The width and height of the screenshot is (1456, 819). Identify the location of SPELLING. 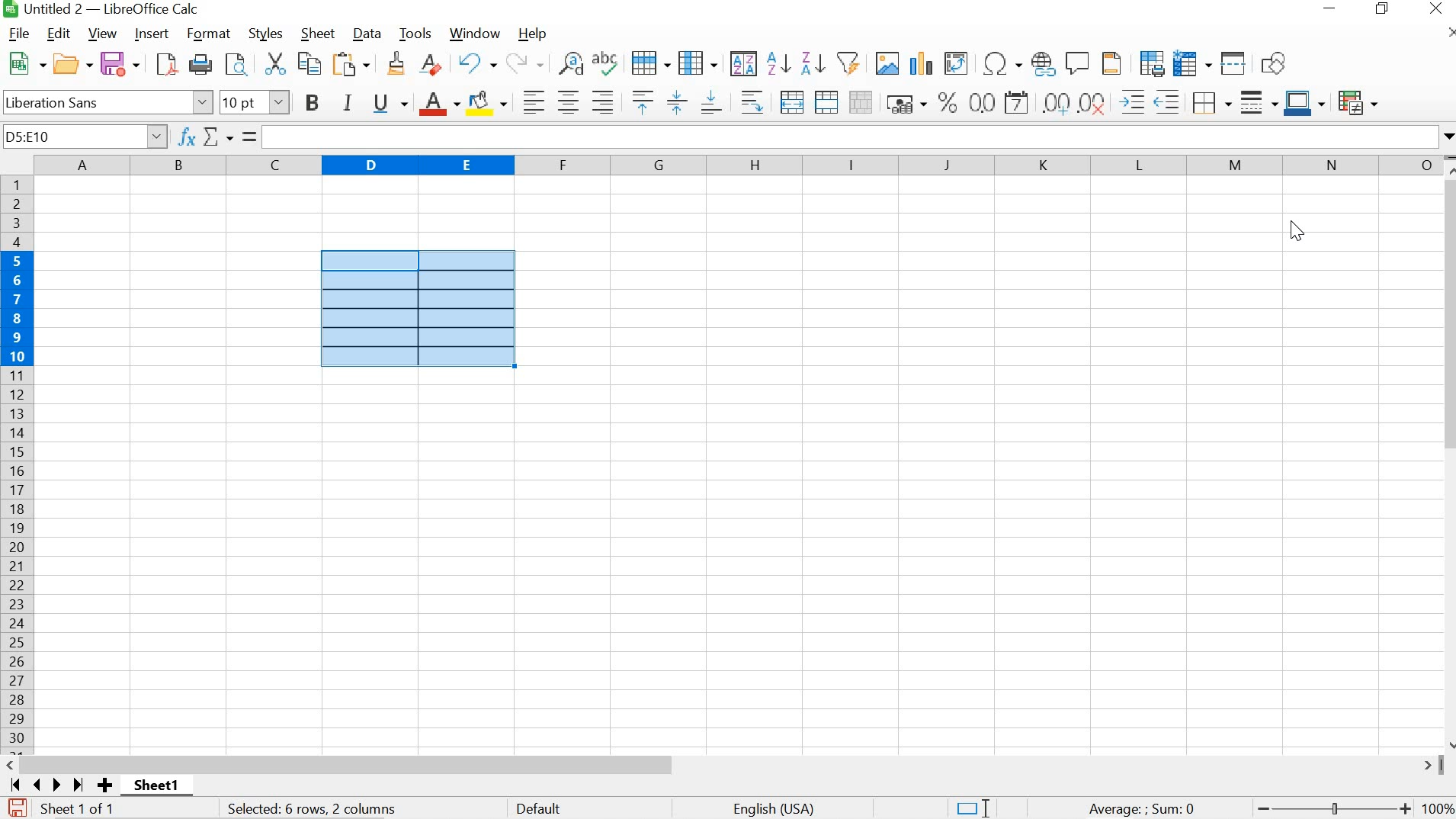
(608, 63).